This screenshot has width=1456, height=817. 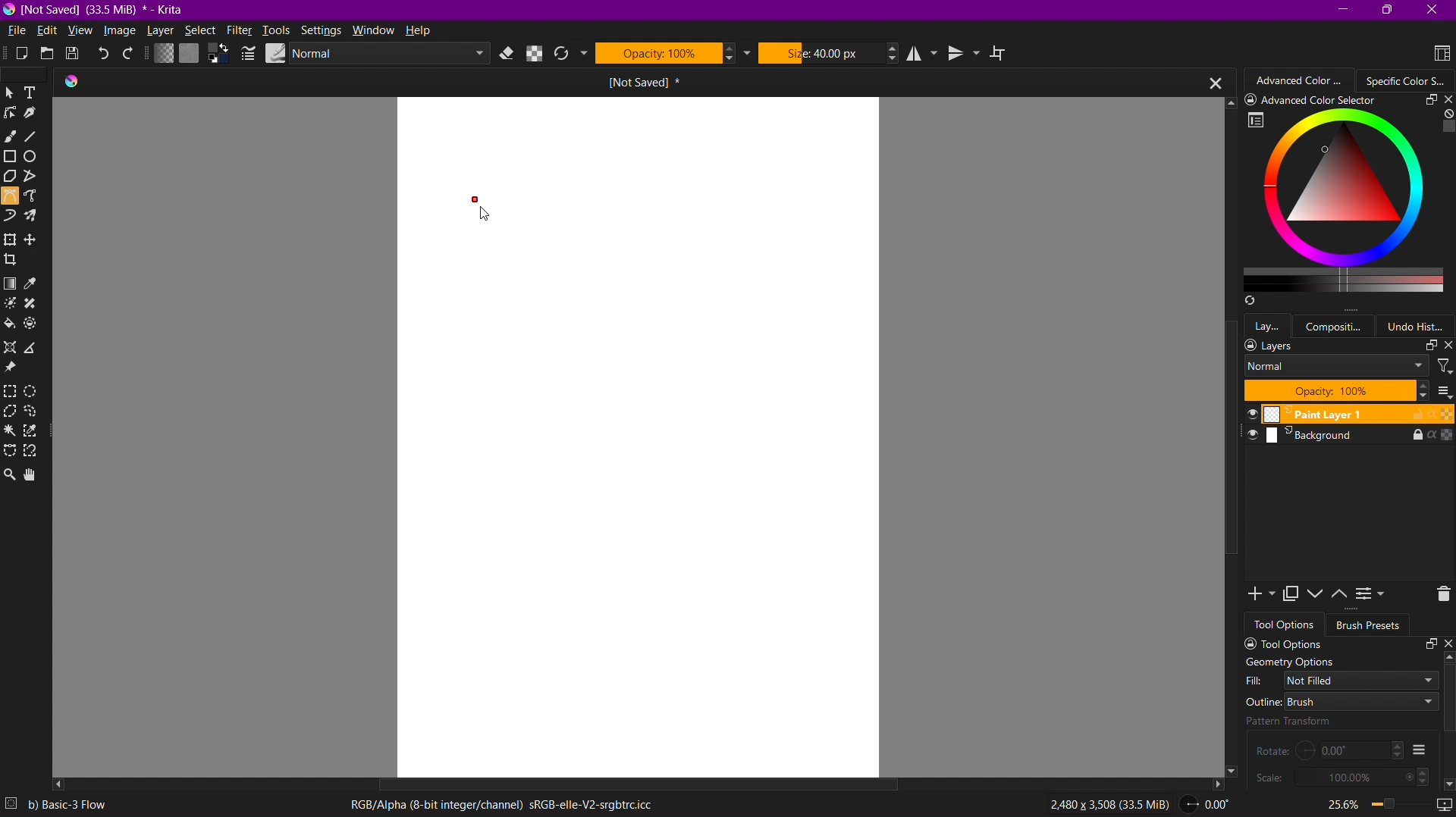 What do you see at coordinates (45, 55) in the screenshot?
I see `Open` at bounding box center [45, 55].